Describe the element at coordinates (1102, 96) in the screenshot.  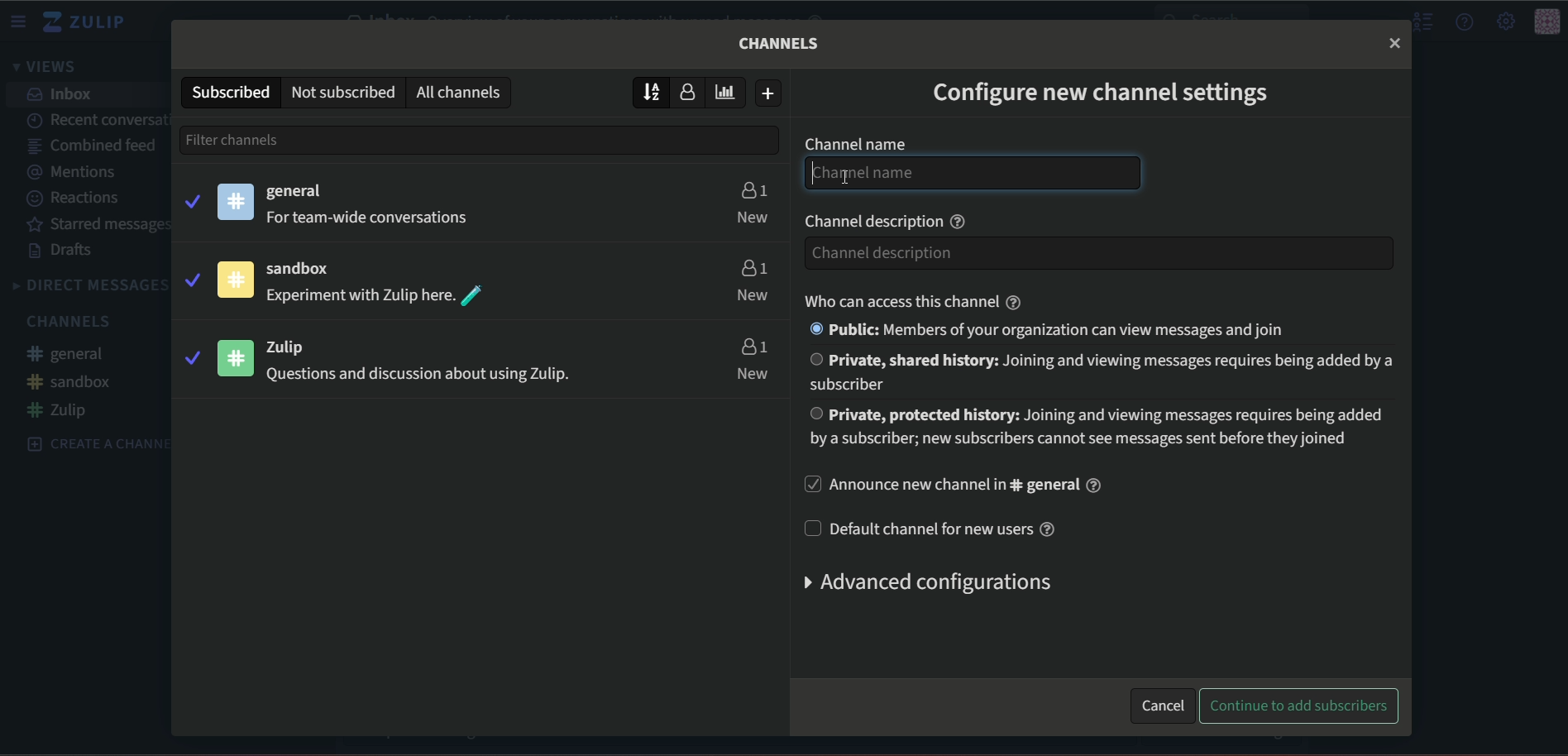
I see `Configure new channel settings` at that location.